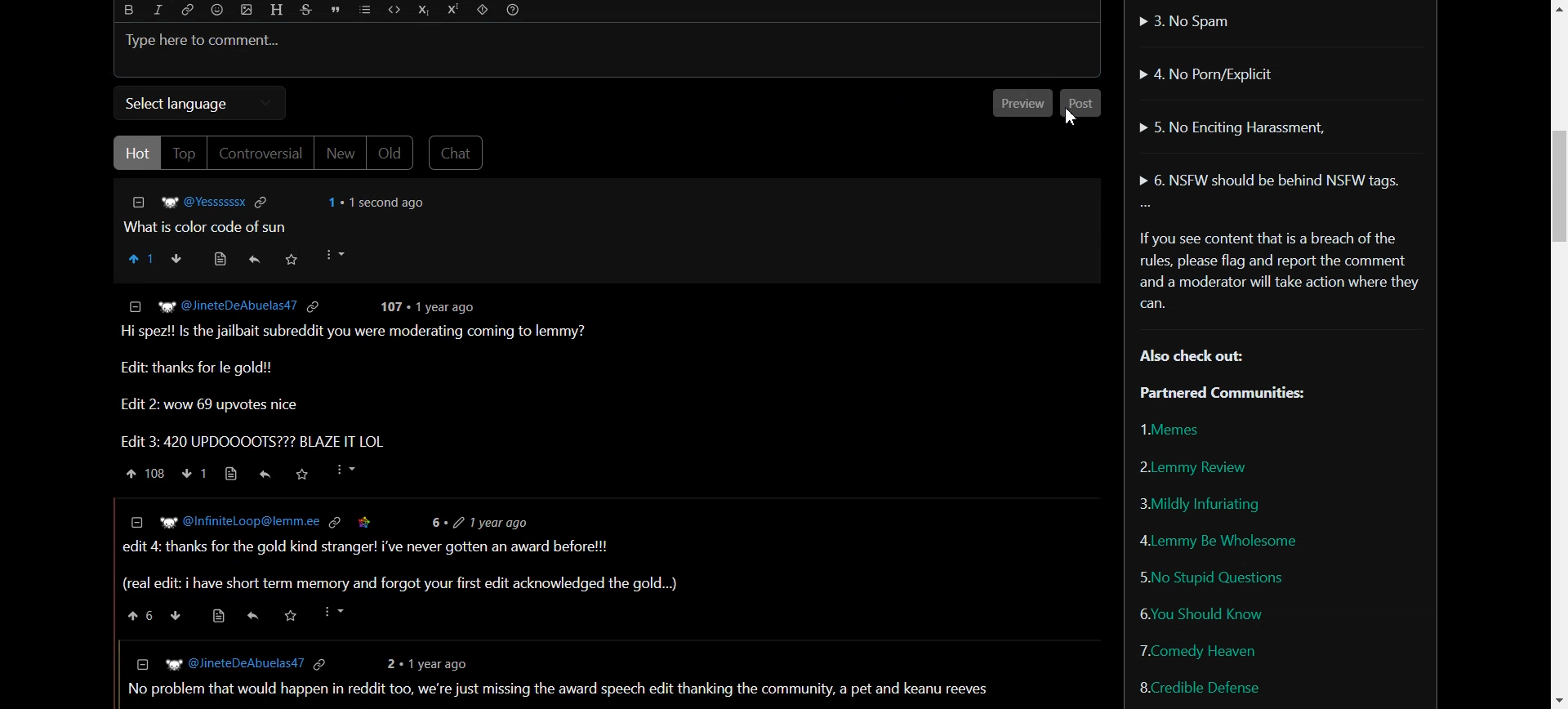 This screenshot has height=709, width=1568. I want to click on source, so click(220, 618).